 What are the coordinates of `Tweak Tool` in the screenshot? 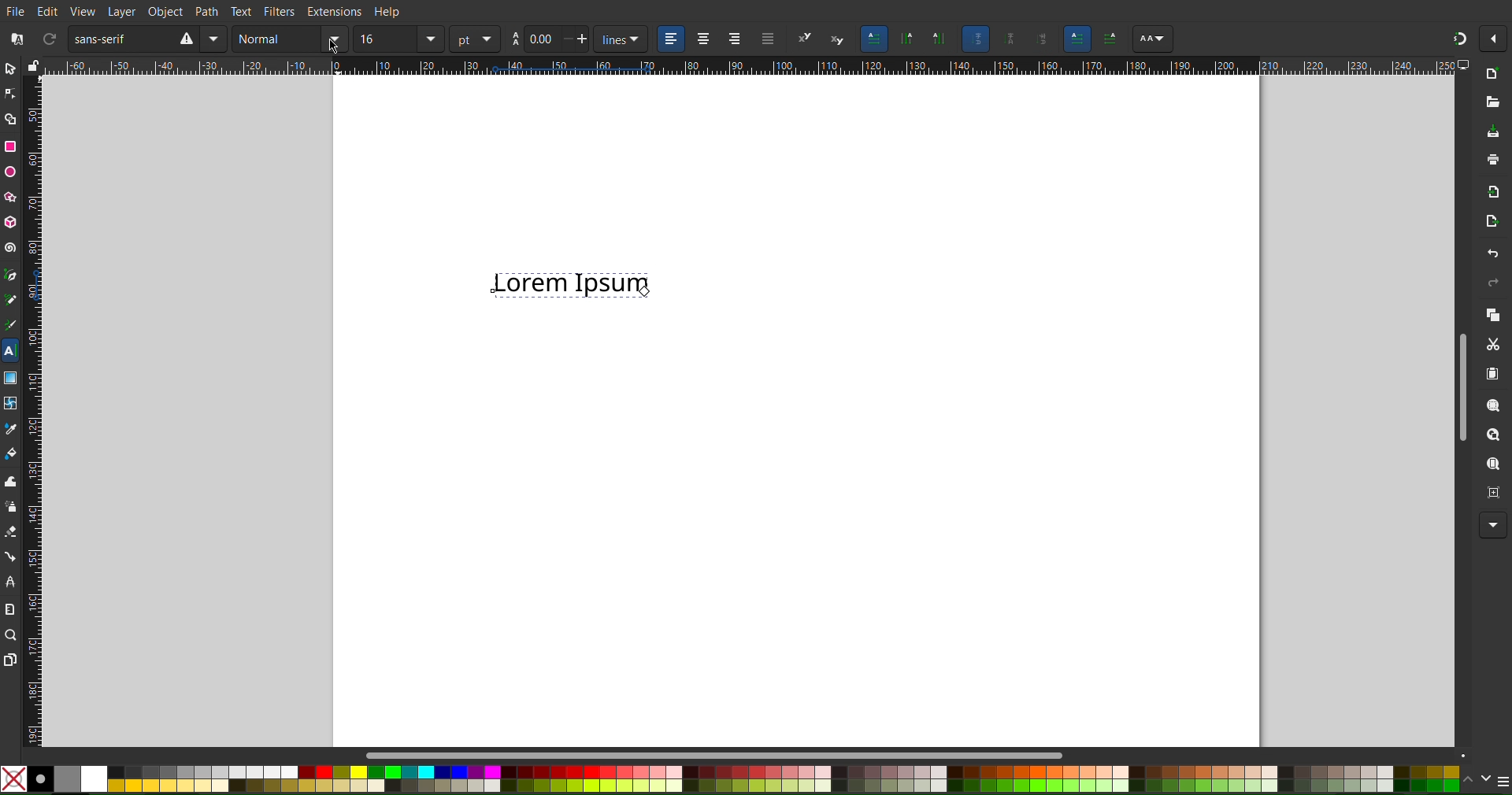 It's located at (13, 481).